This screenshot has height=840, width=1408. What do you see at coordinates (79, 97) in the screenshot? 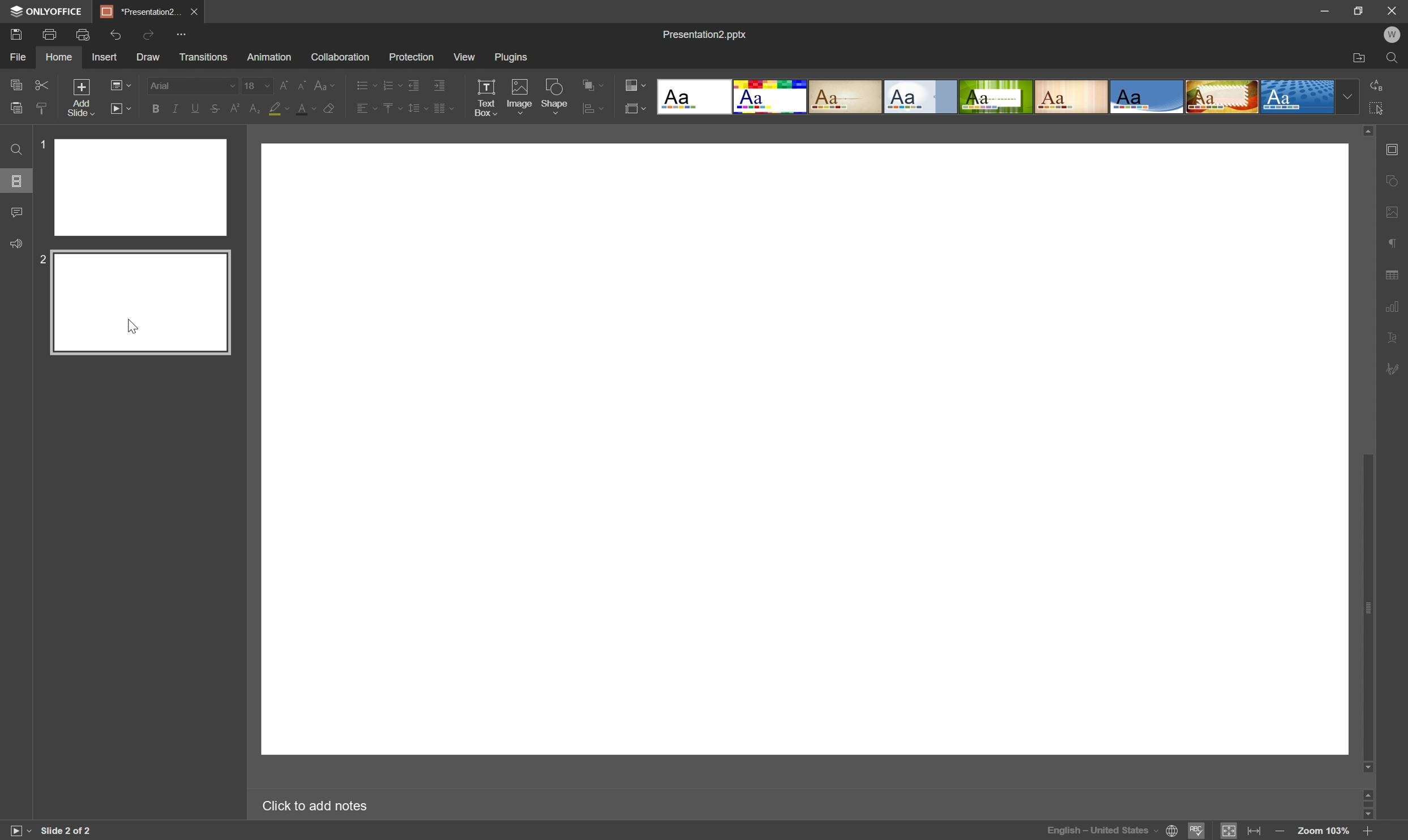
I see `Add slide` at bounding box center [79, 97].